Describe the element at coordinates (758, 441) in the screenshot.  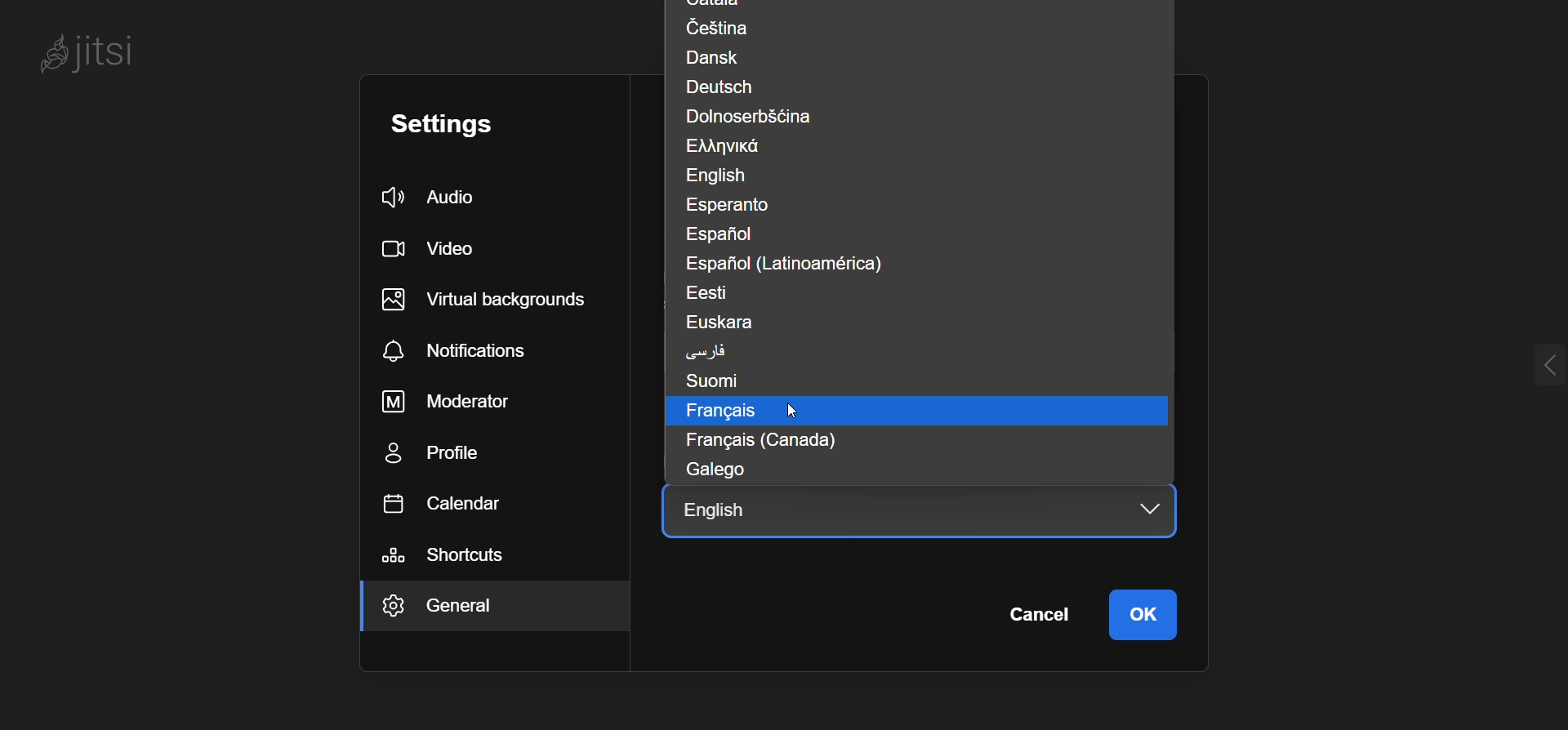
I see `Francais (Canada)` at that location.